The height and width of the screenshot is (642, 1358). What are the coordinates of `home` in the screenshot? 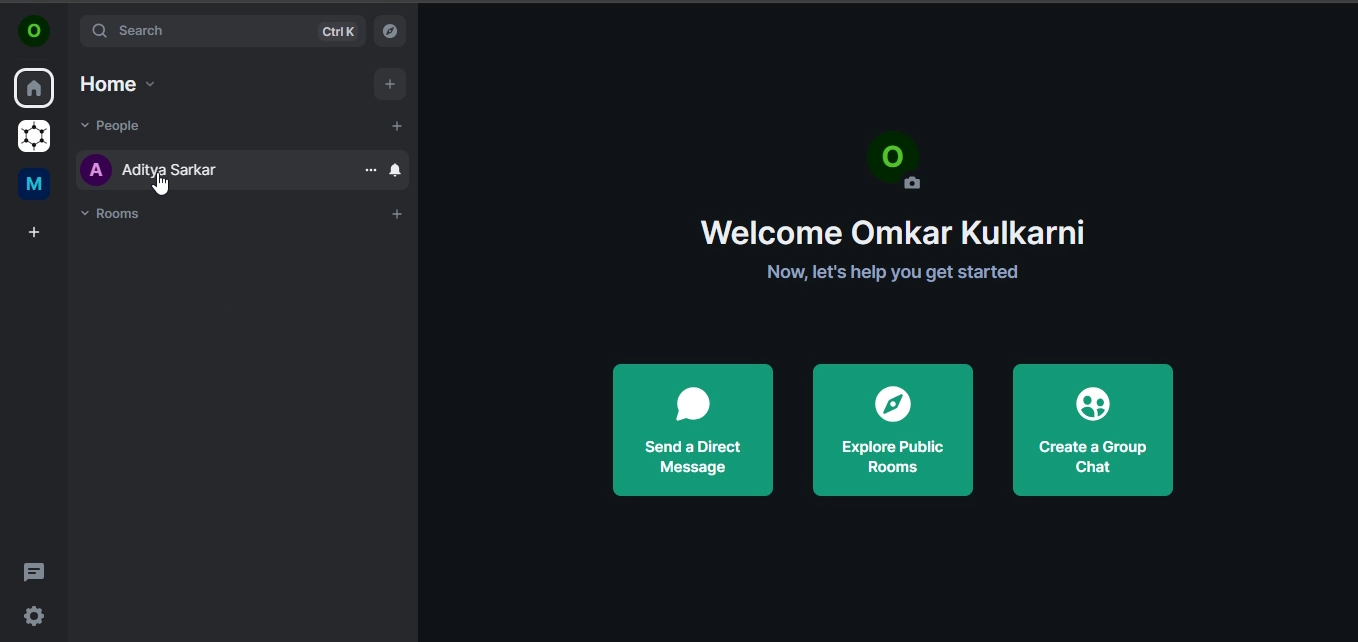 It's located at (115, 84).